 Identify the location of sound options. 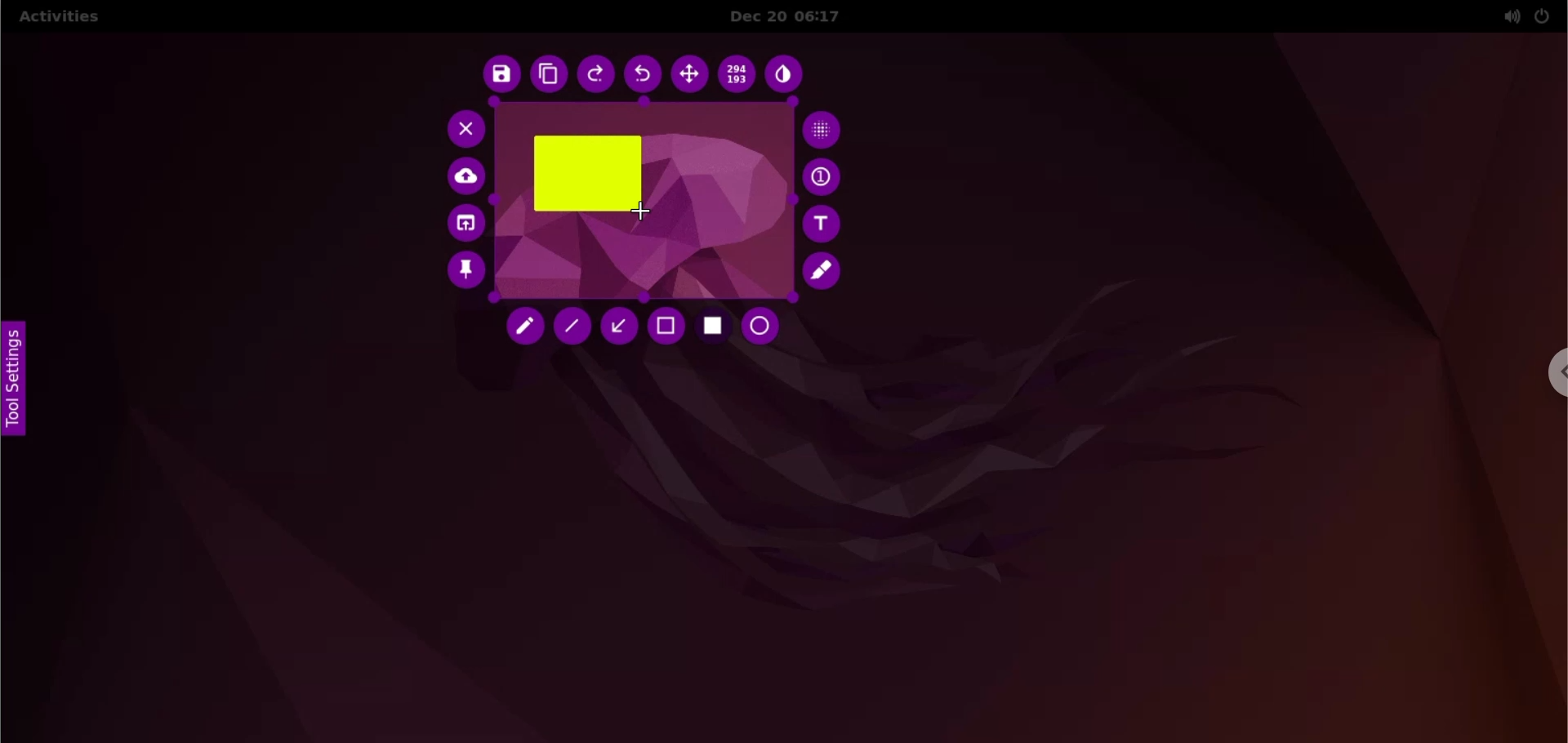
(1508, 16).